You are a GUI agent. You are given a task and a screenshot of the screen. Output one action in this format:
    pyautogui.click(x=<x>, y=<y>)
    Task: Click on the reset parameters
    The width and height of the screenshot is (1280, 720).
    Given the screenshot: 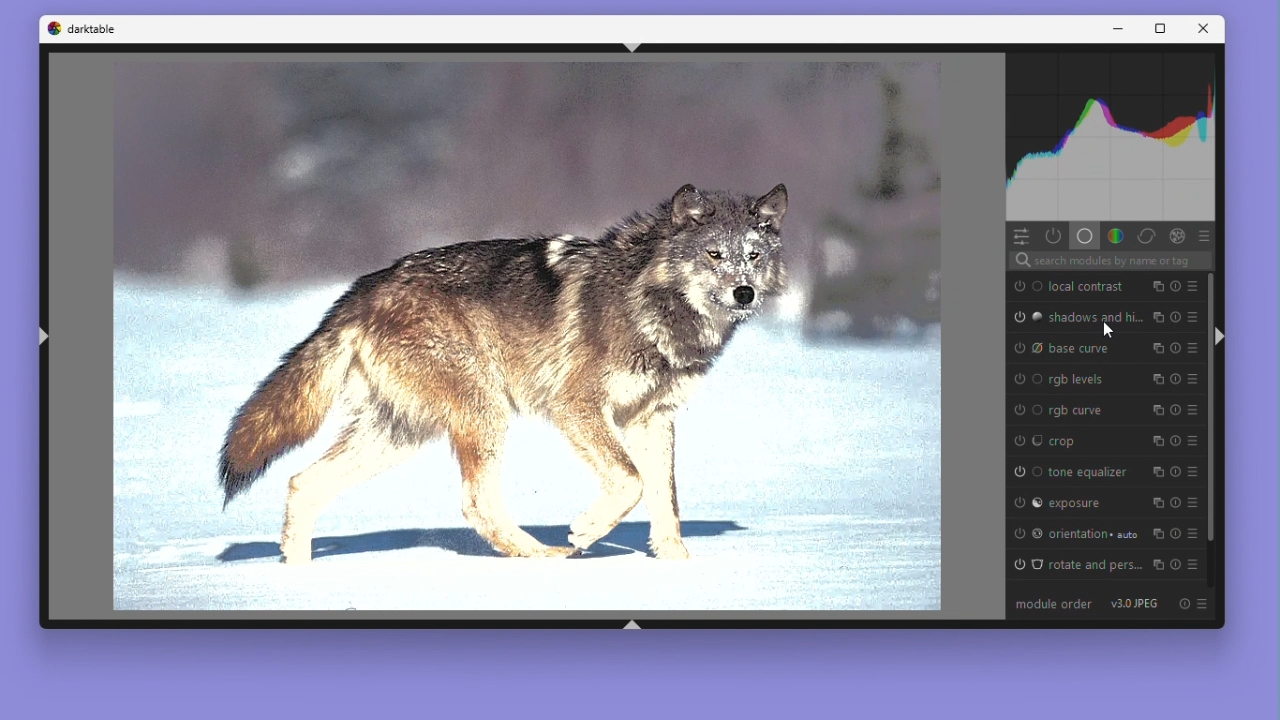 What is the action you would take?
    pyautogui.click(x=1175, y=440)
    